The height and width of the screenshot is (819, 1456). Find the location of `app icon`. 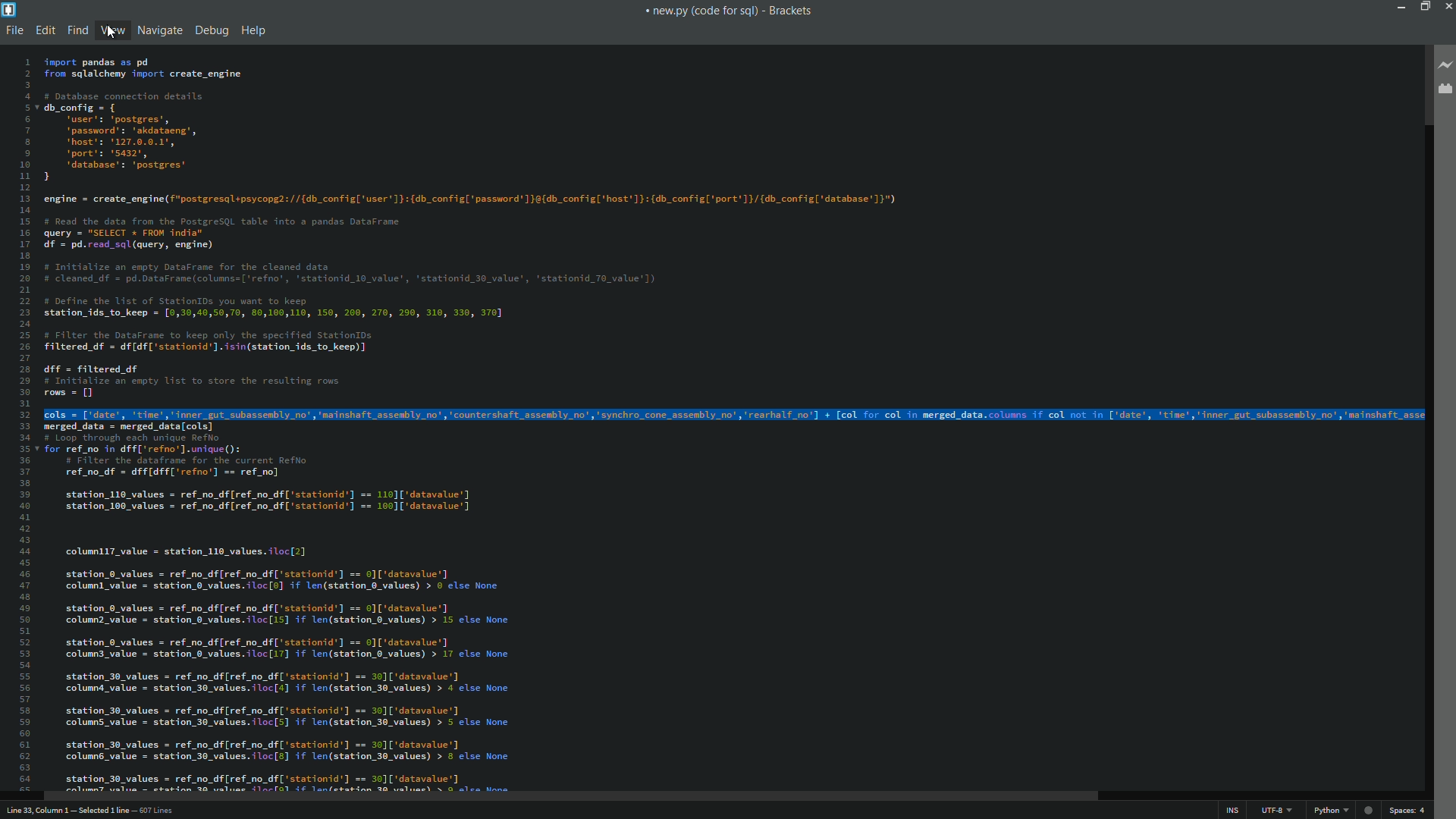

app icon is located at coordinates (9, 9).